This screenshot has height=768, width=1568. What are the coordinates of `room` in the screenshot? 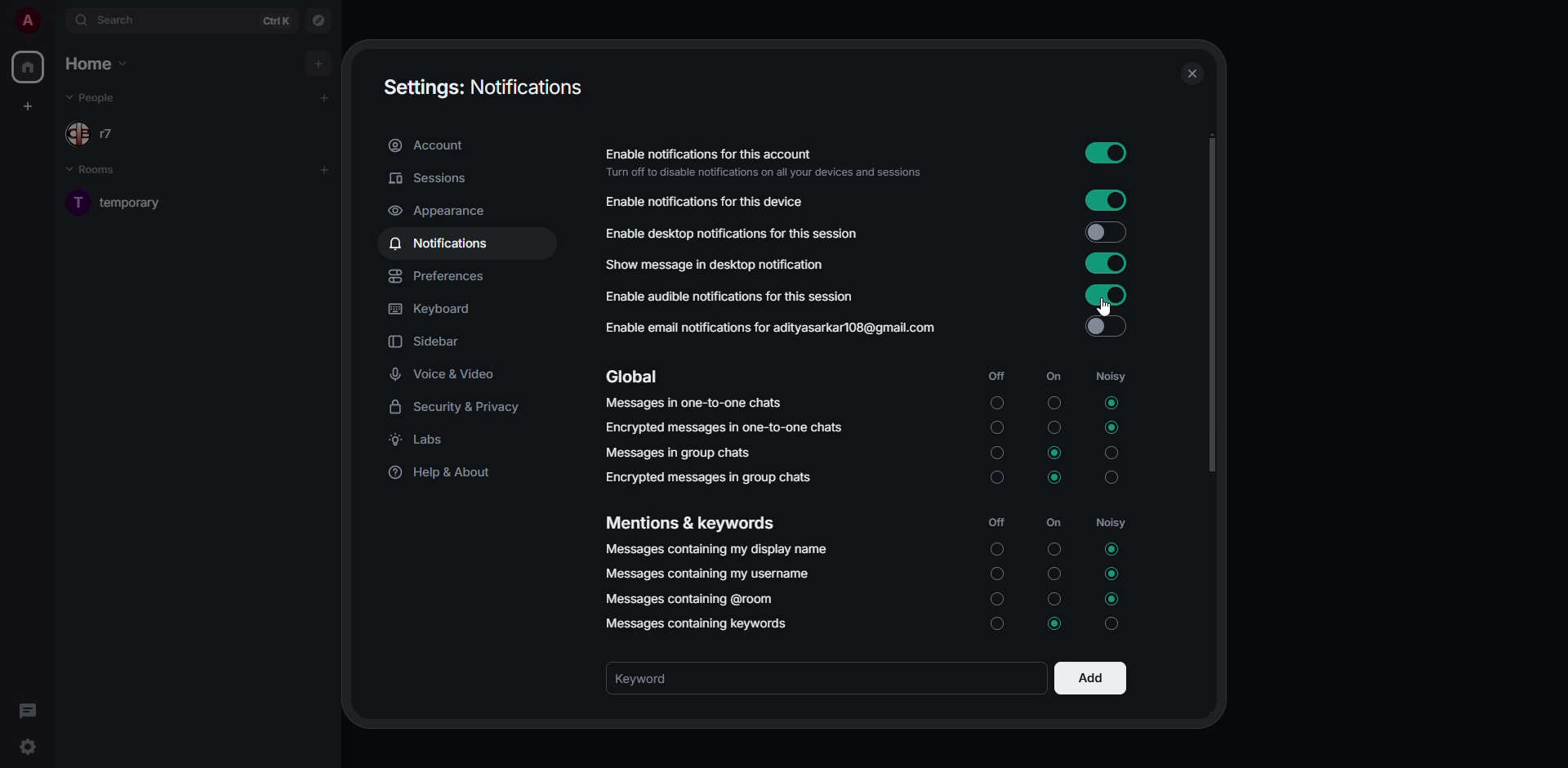 It's located at (133, 202).